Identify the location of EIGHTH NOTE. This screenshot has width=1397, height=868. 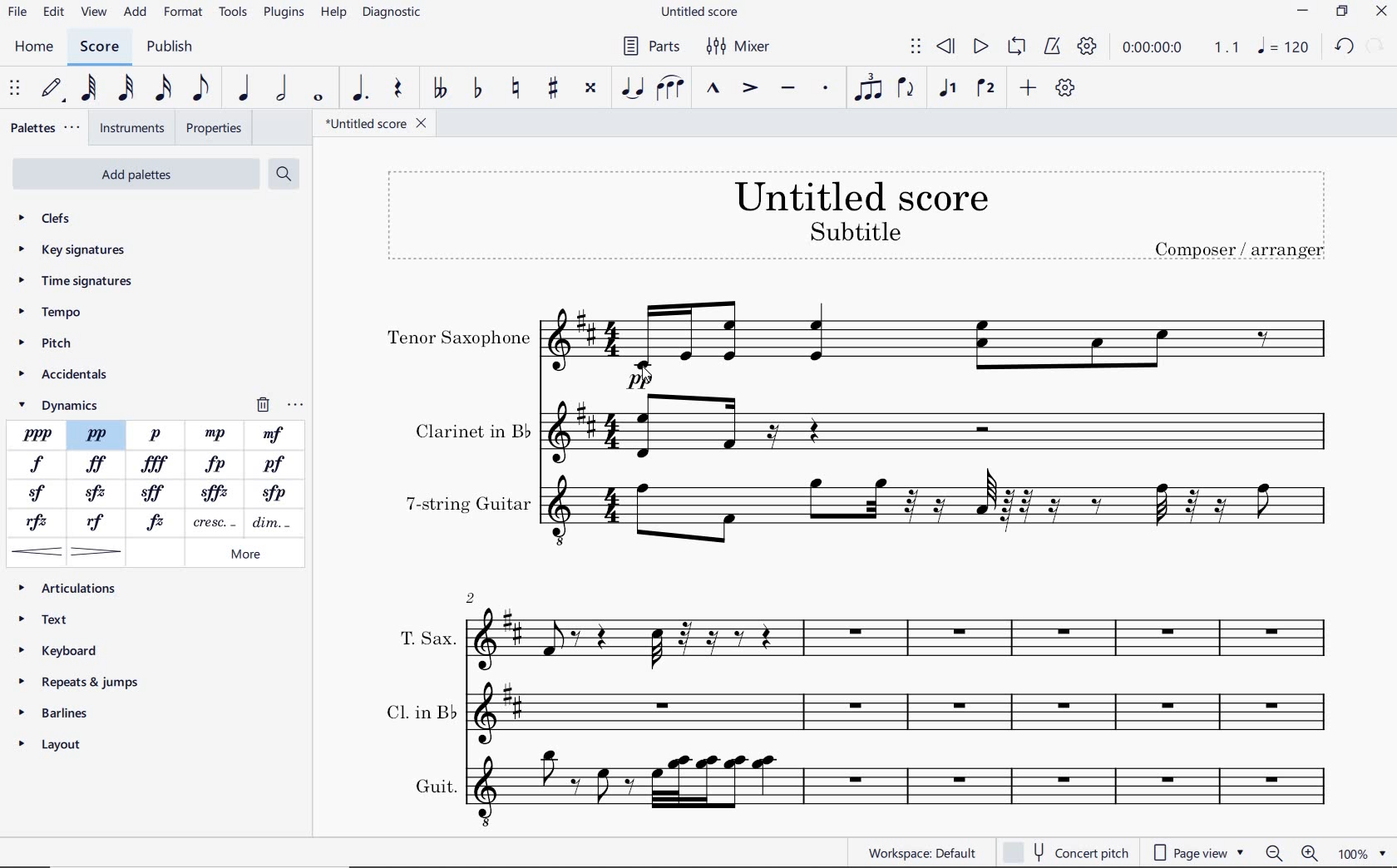
(204, 91).